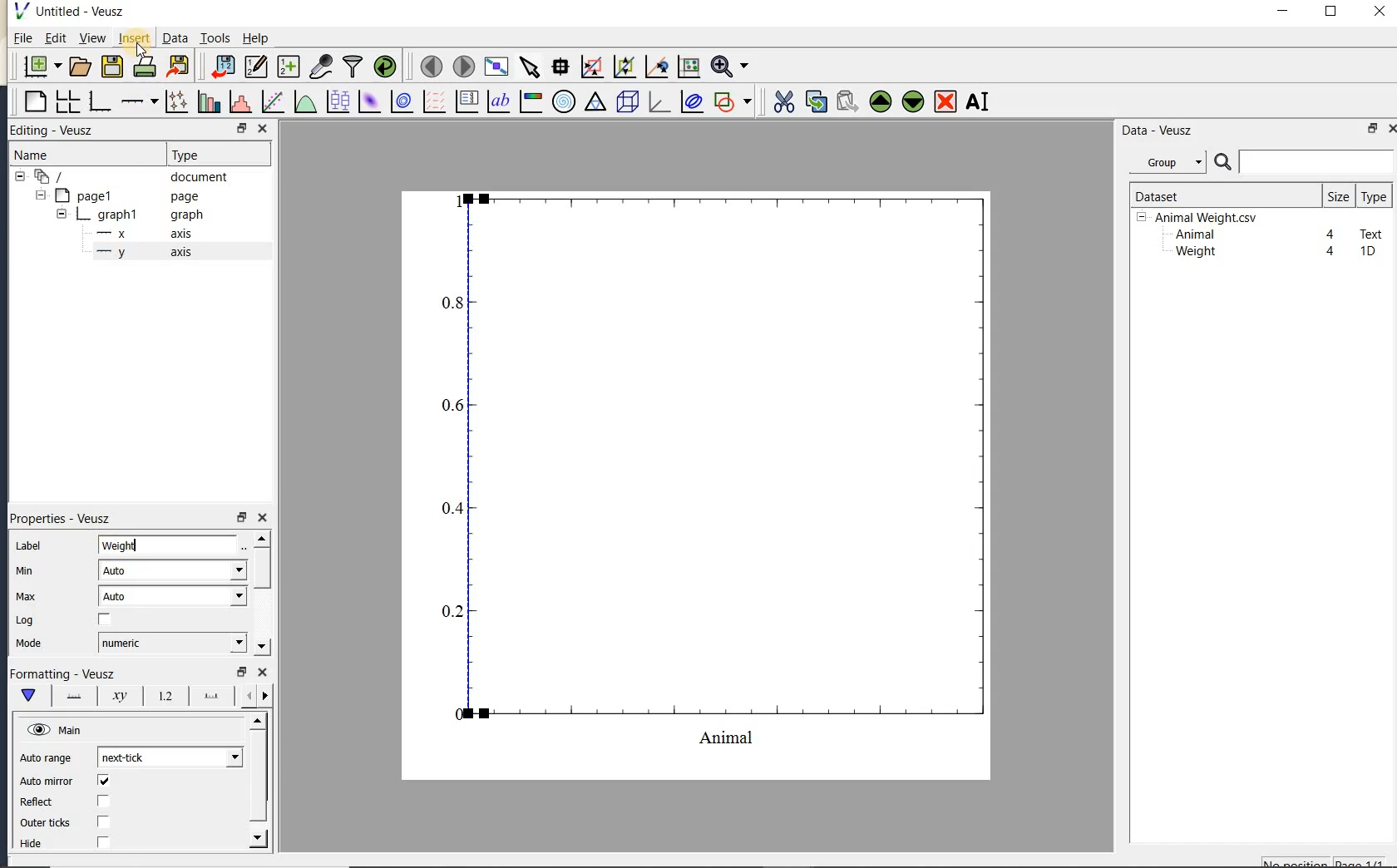 The width and height of the screenshot is (1397, 868). I want to click on select items from the graph or scroll, so click(531, 67).